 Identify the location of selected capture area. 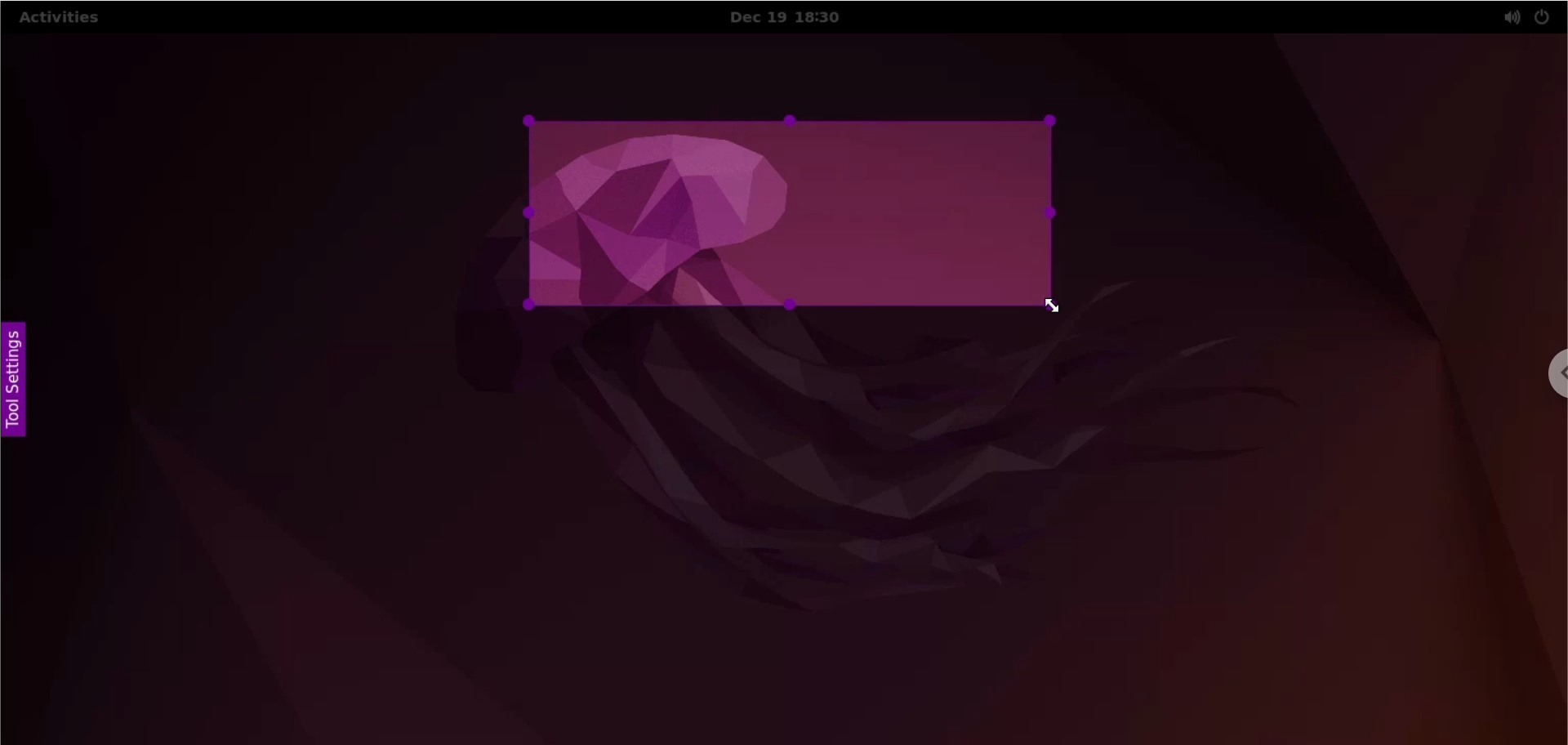
(791, 213).